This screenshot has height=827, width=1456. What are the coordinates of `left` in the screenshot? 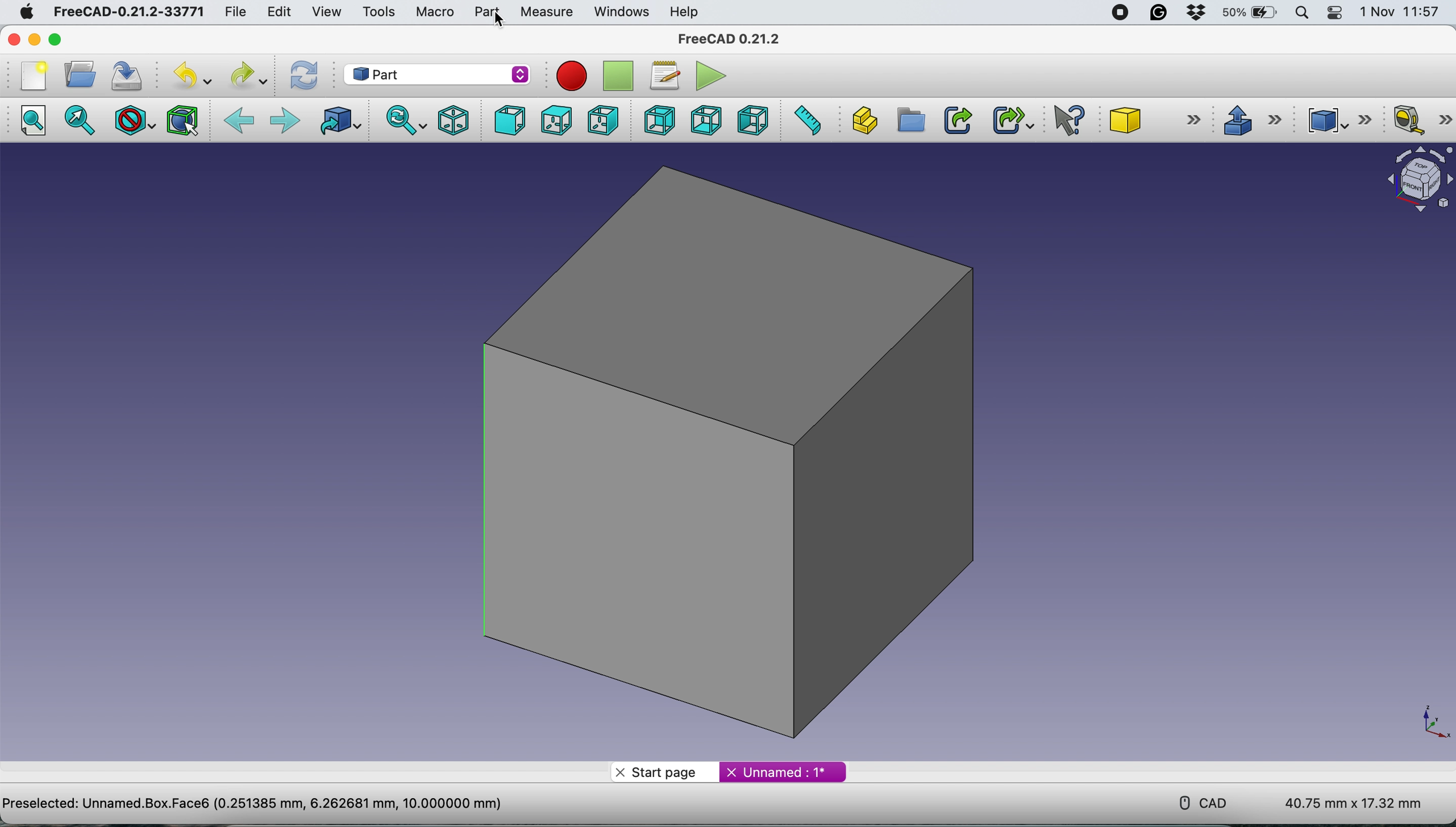 It's located at (752, 119).